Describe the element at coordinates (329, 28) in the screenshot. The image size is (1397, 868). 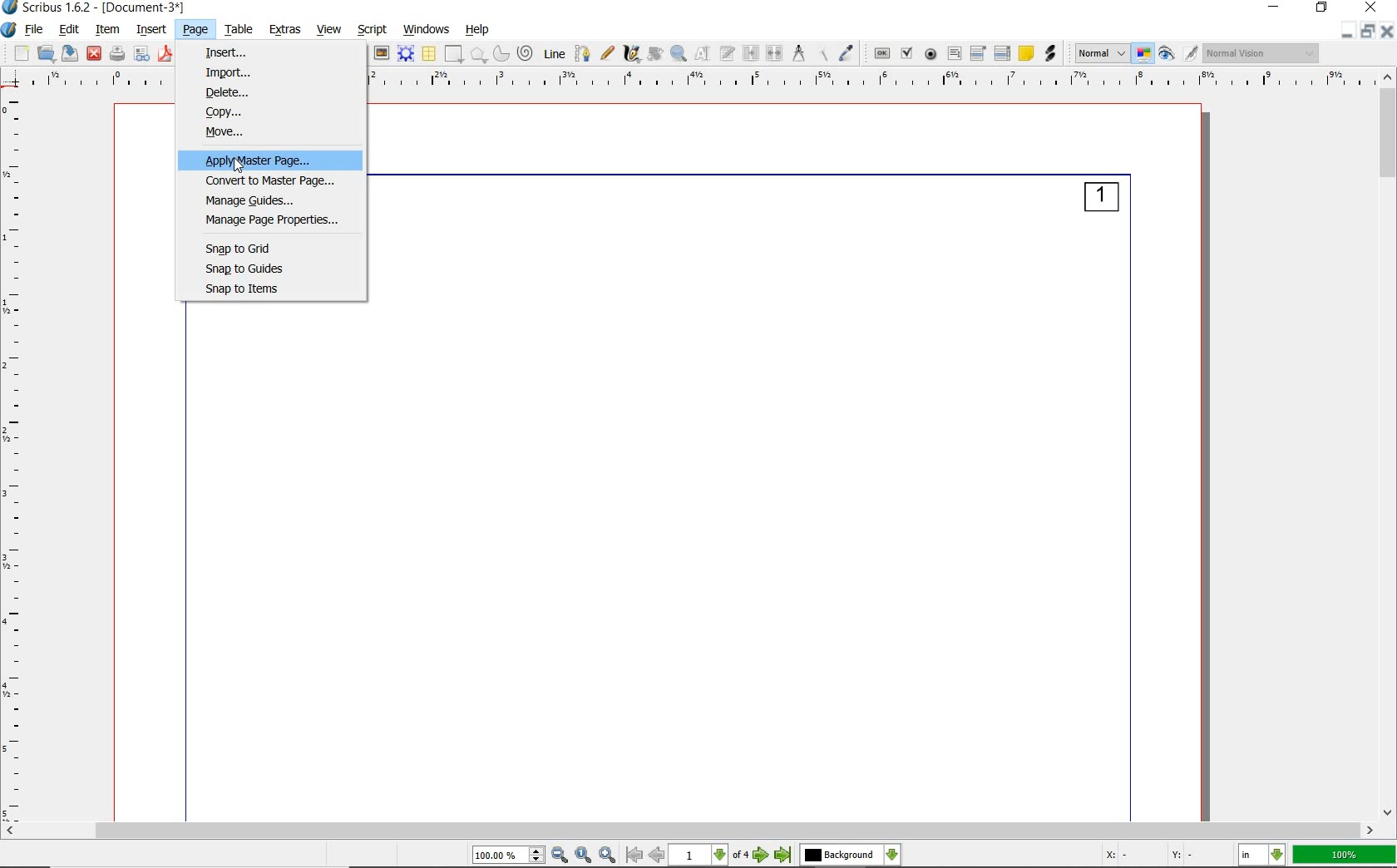
I see `view` at that location.